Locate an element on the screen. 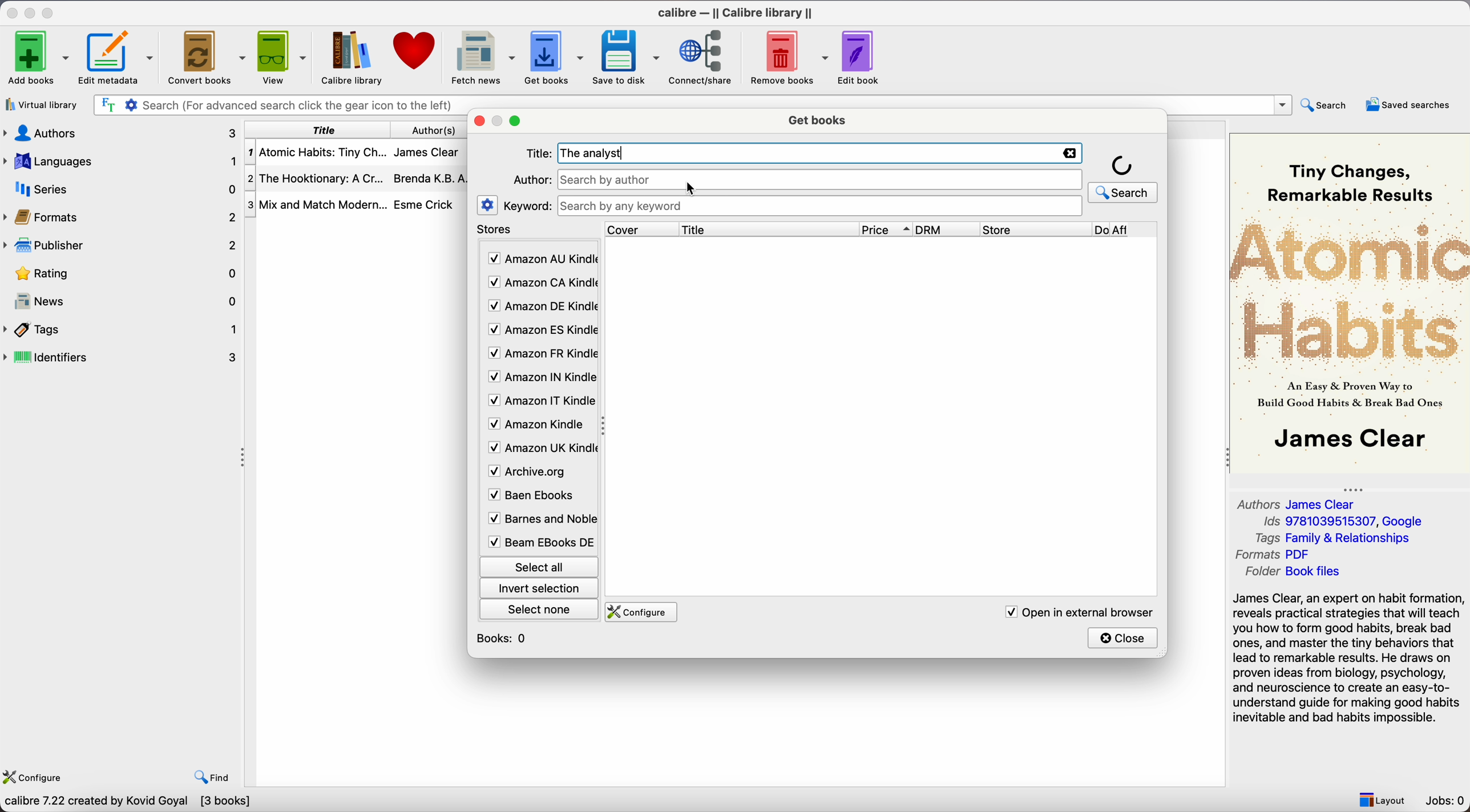 The image size is (1470, 812). Baen Ebooks is located at coordinates (535, 498).